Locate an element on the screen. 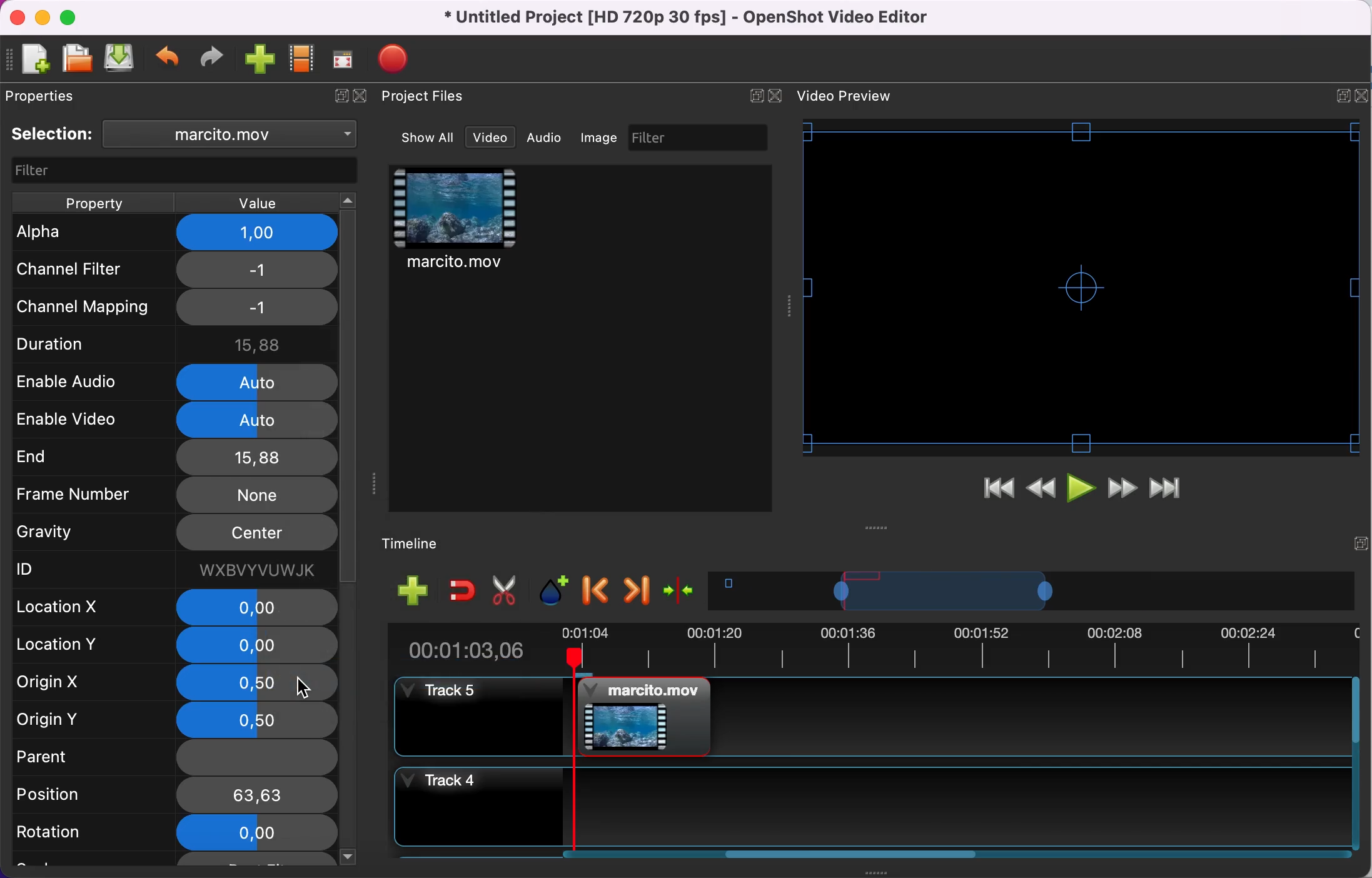 This screenshot has width=1372, height=878. Close is located at coordinates (1361, 96).